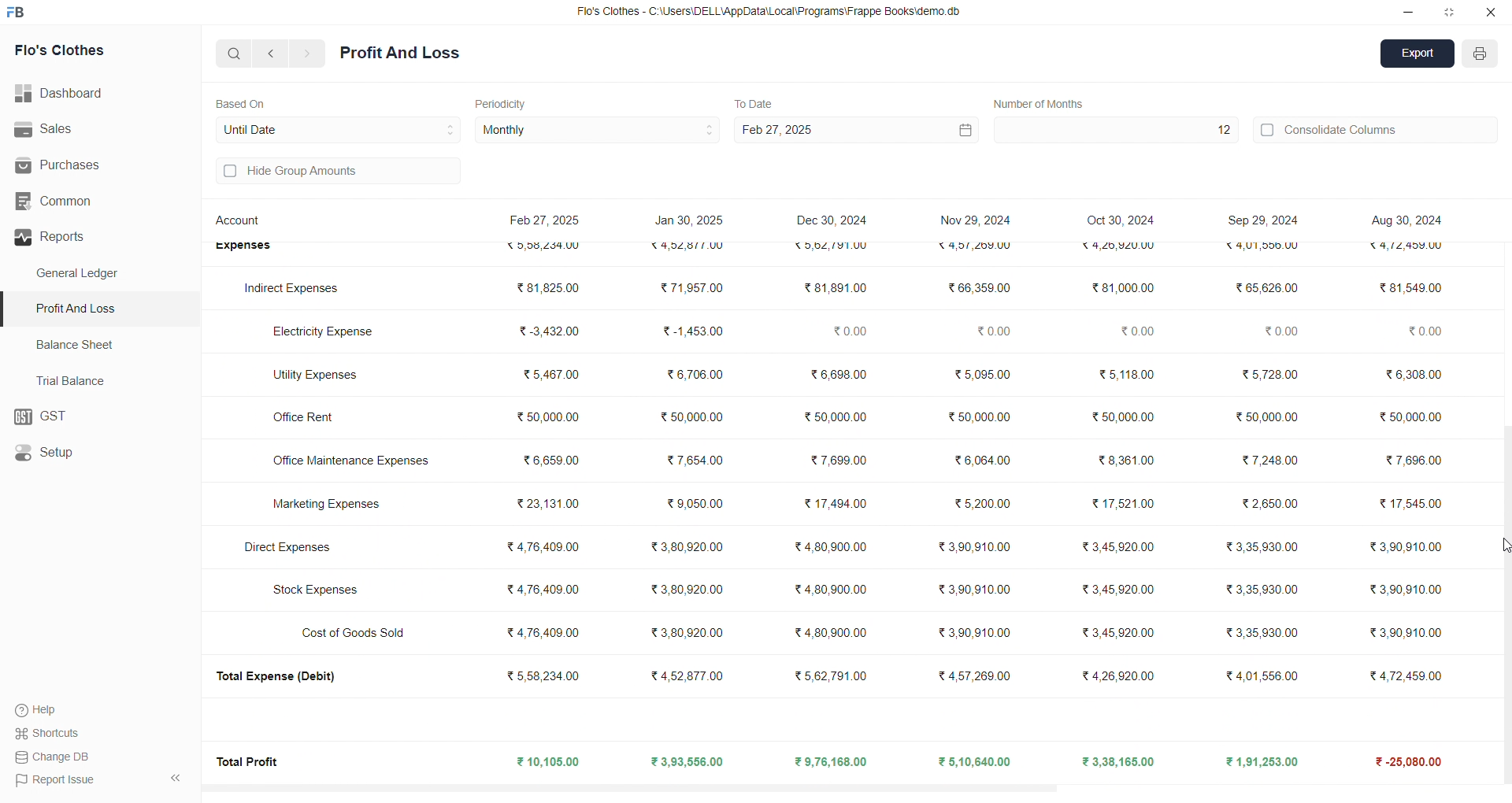 The width and height of the screenshot is (1512, 803). What do you see at coordinates (693, 677) in the screenshot?
I see `₹4,52,877.00` at bounding box center [693, 677].